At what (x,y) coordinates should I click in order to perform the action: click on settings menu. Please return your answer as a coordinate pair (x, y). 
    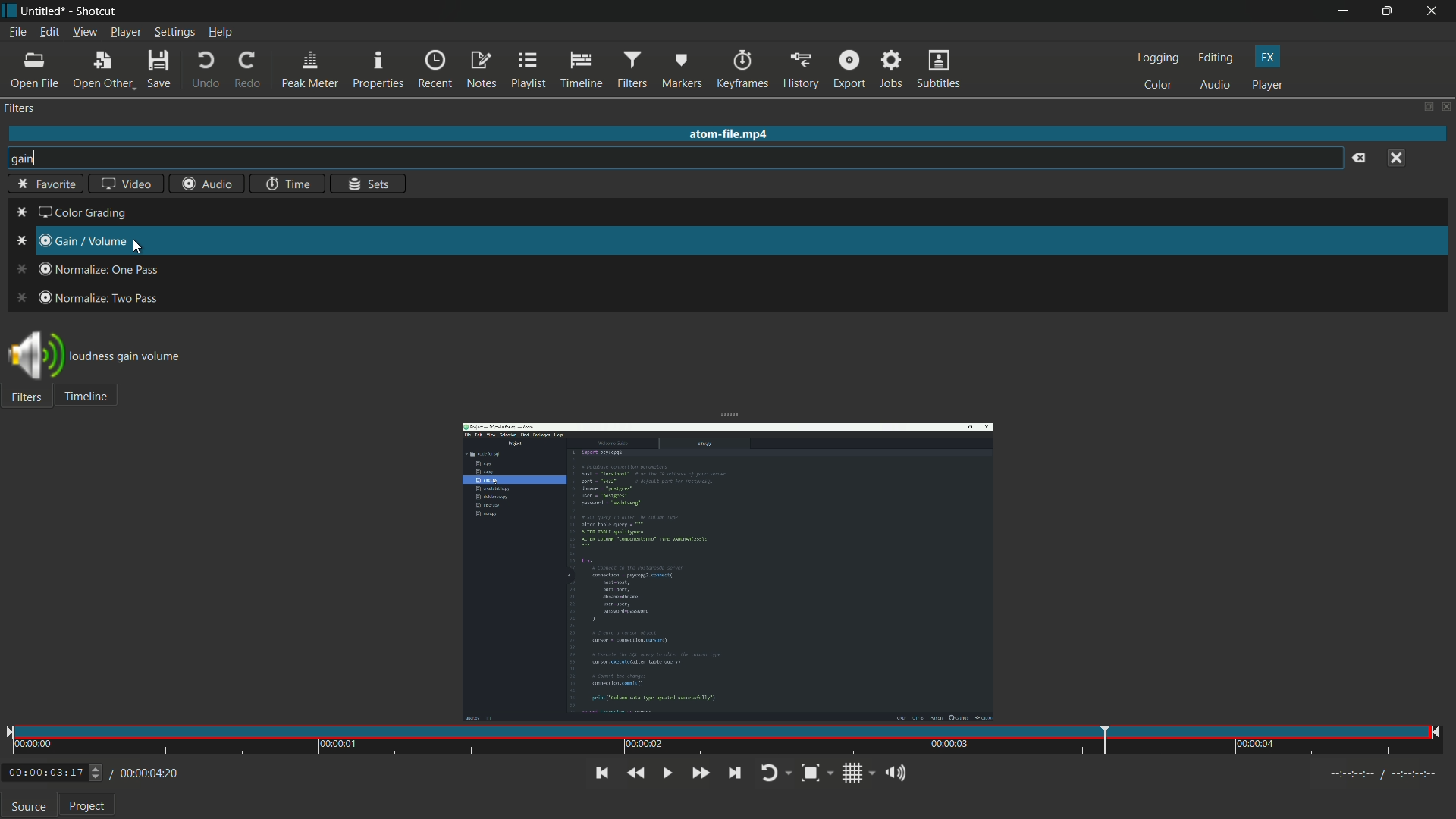
    Looking at the image, I should click on (174, 32).